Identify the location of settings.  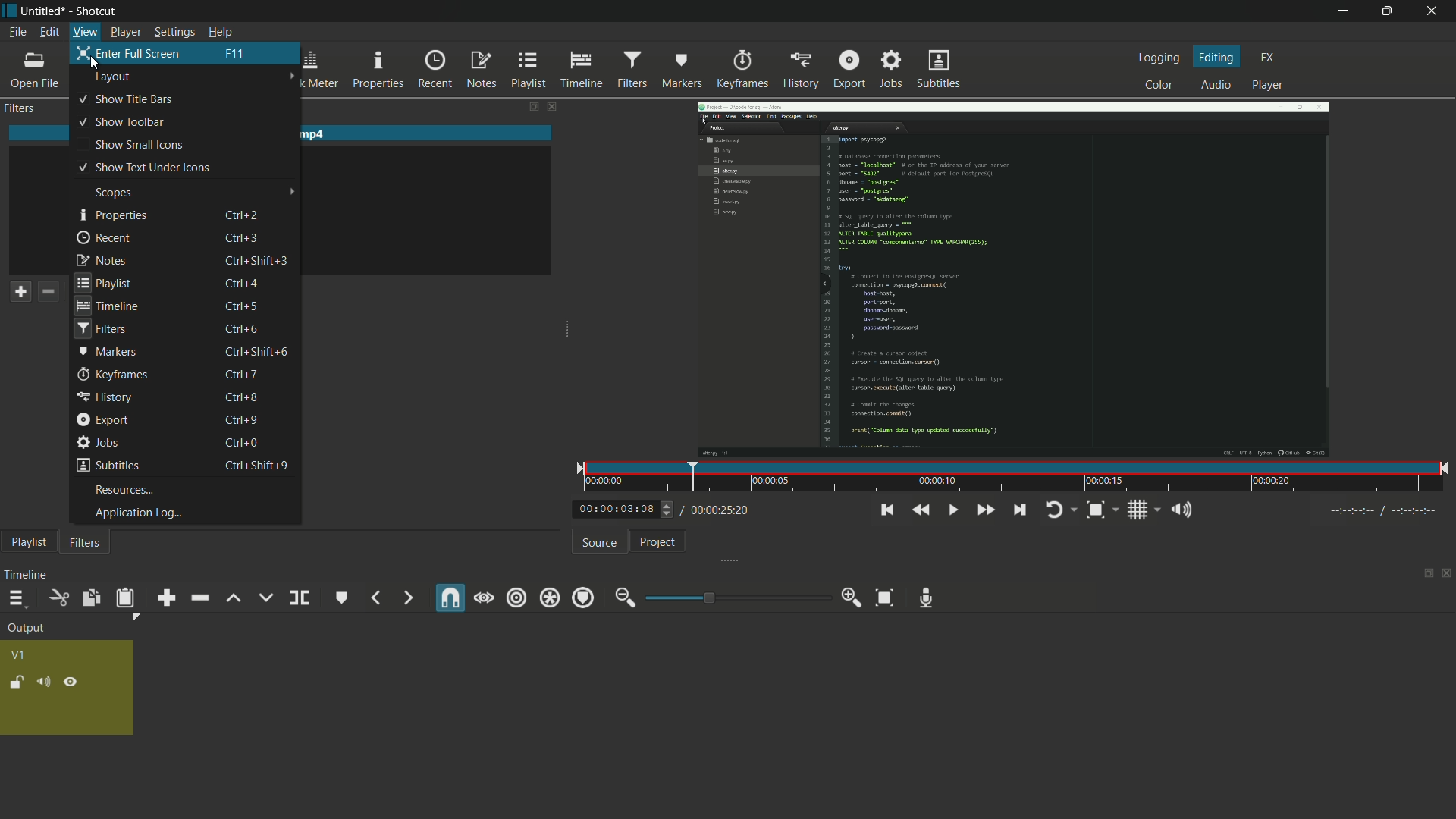
(176, 32).